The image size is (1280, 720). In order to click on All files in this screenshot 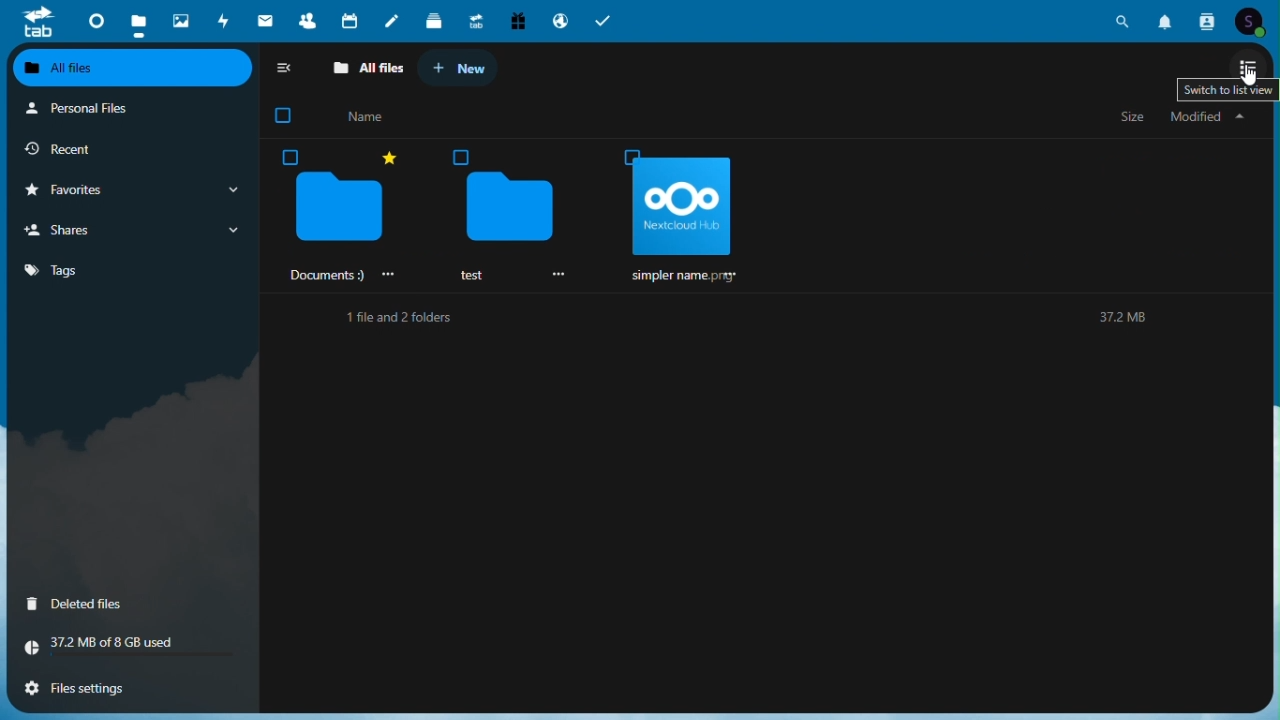, I will do `click(132, 66)`.